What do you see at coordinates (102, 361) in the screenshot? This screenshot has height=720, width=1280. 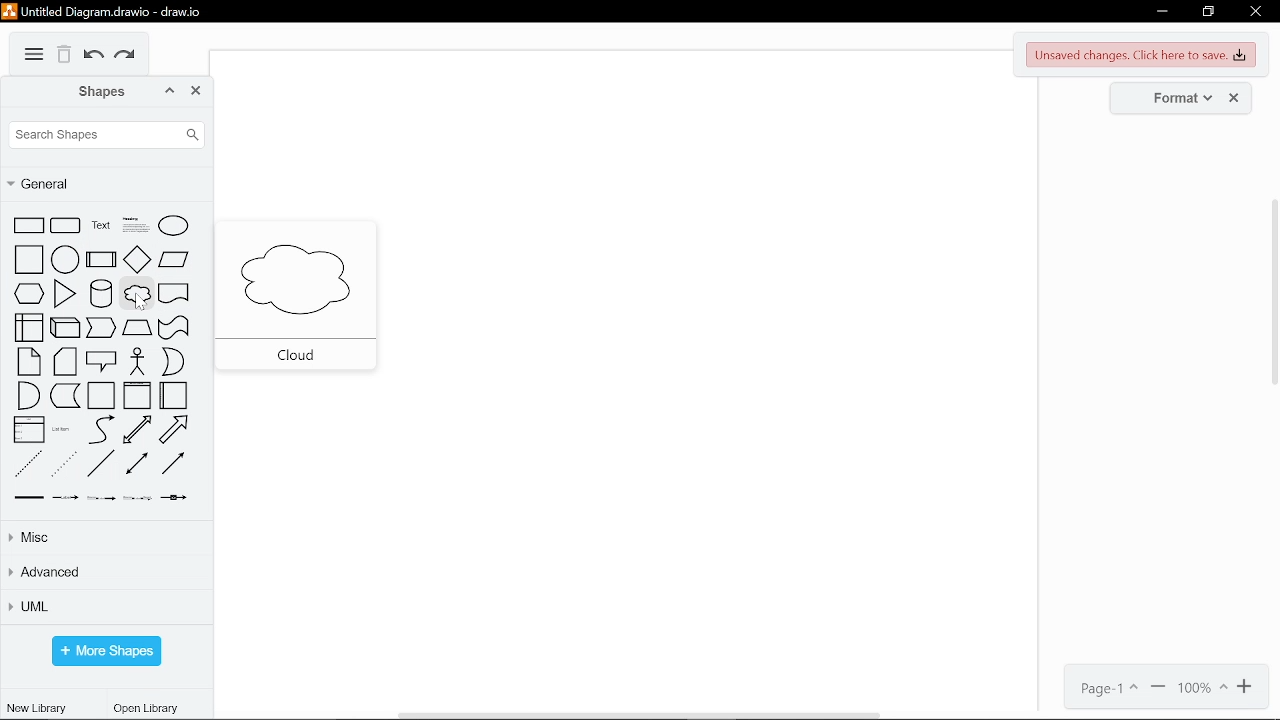 I see `callout` at bounding box center [102, 361].